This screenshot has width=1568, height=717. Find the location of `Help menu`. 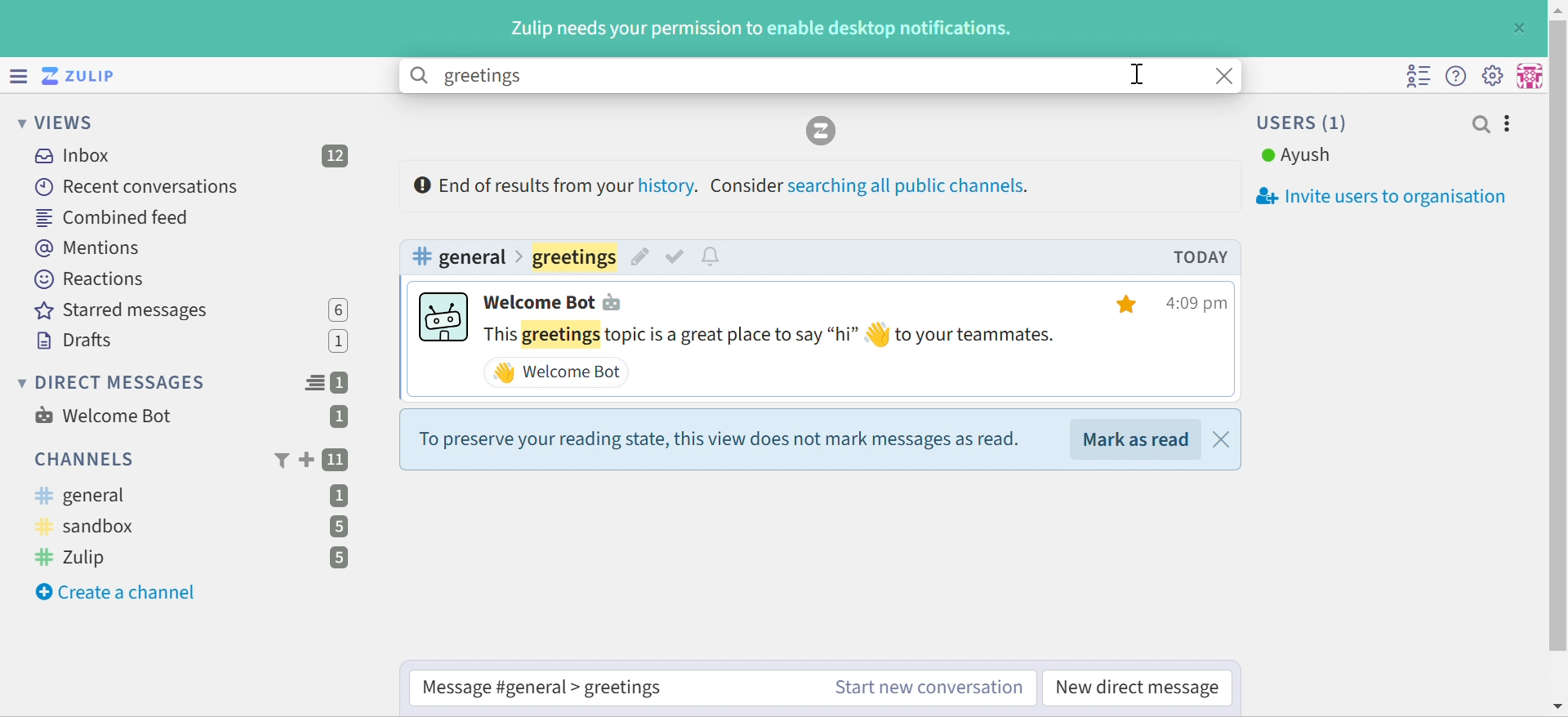

Help menu is located at coordinates (1458, 75).